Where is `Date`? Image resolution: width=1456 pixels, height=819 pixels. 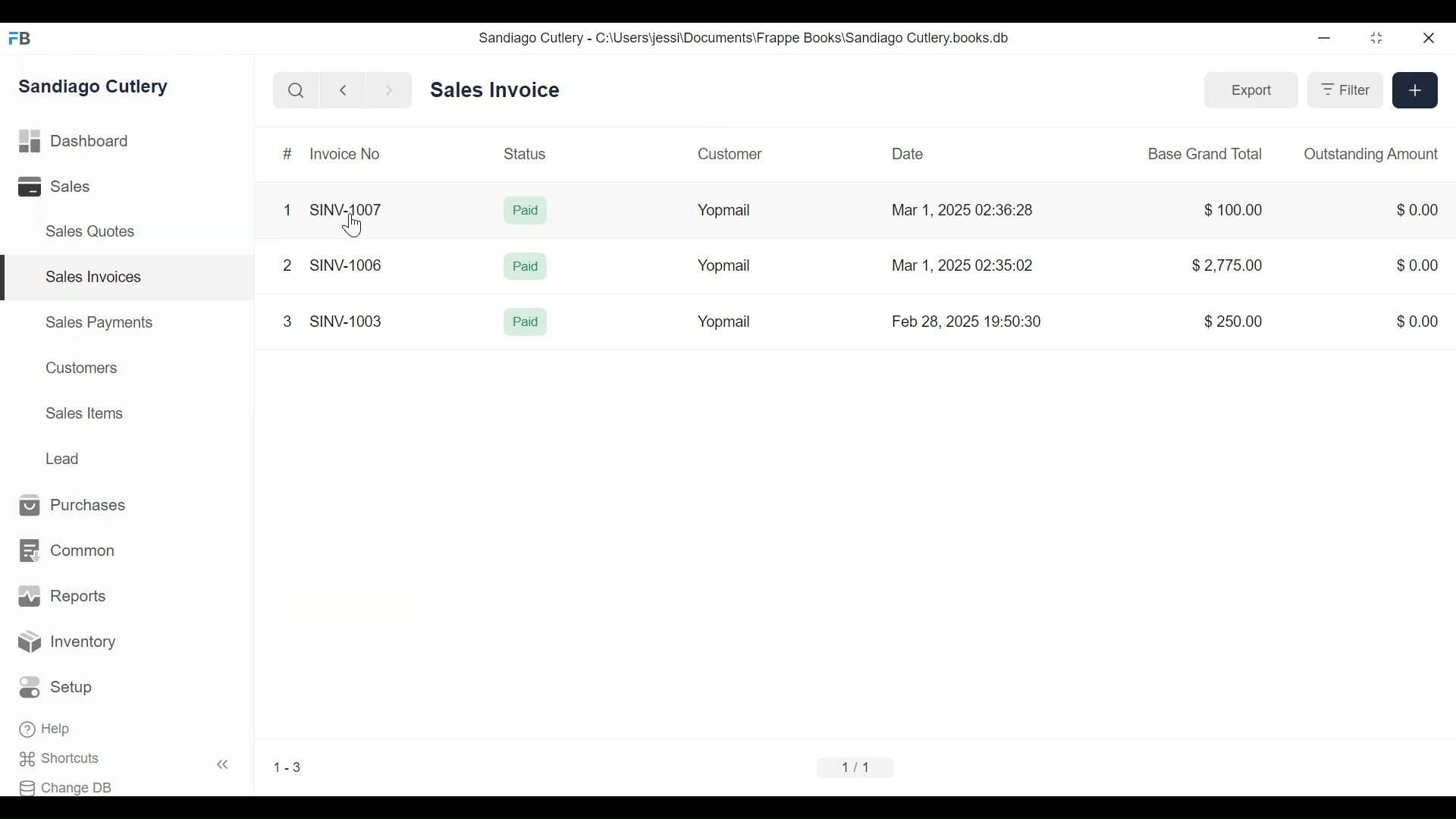
Date is located at coordinates (909, 154).